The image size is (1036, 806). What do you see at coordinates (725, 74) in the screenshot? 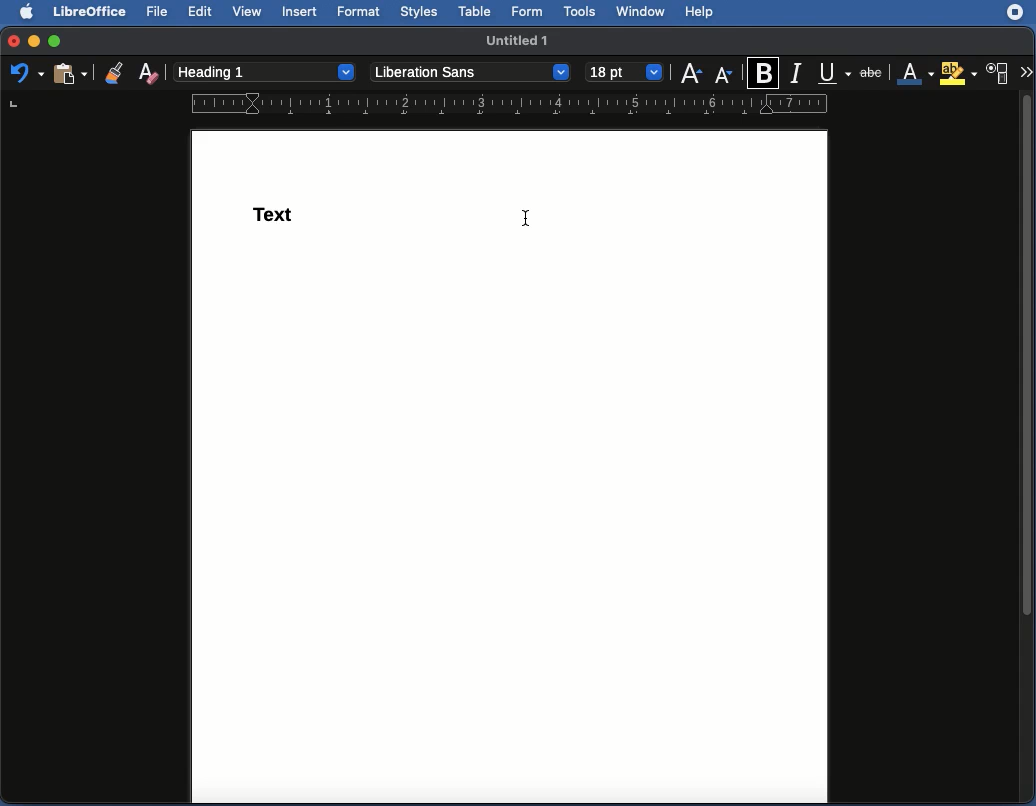
I see `Size decrease` at bounding box center [725, 74].